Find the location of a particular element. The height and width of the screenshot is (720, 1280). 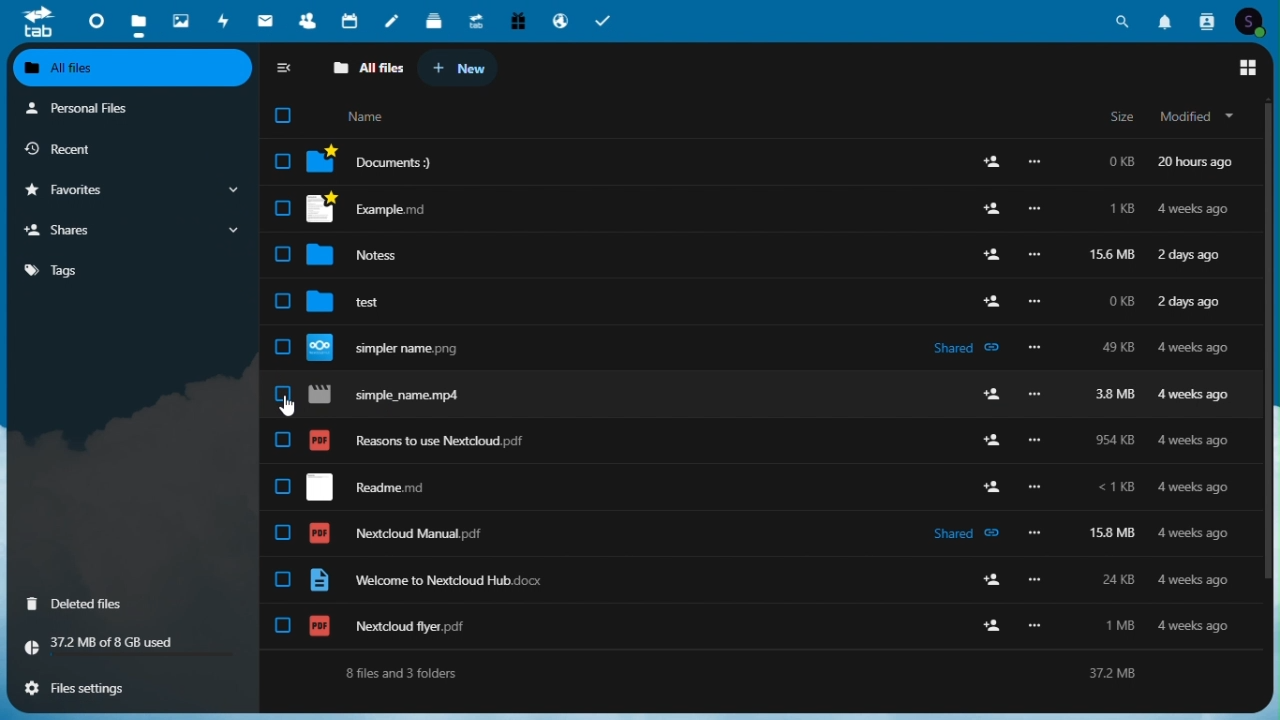

name is located at coordinates (369, 115).